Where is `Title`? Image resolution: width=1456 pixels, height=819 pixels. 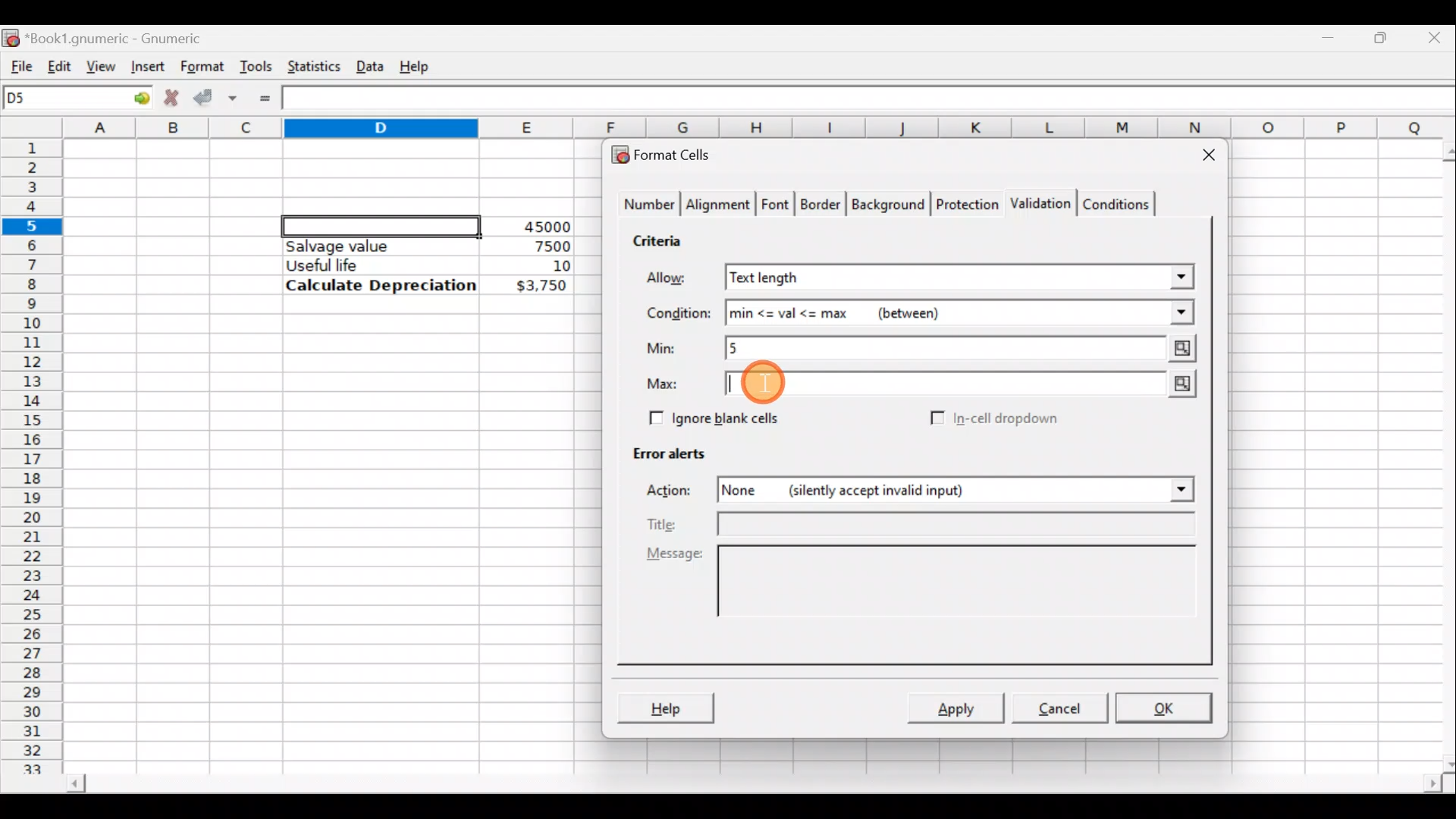 Title is located at coordinates (923, 526).